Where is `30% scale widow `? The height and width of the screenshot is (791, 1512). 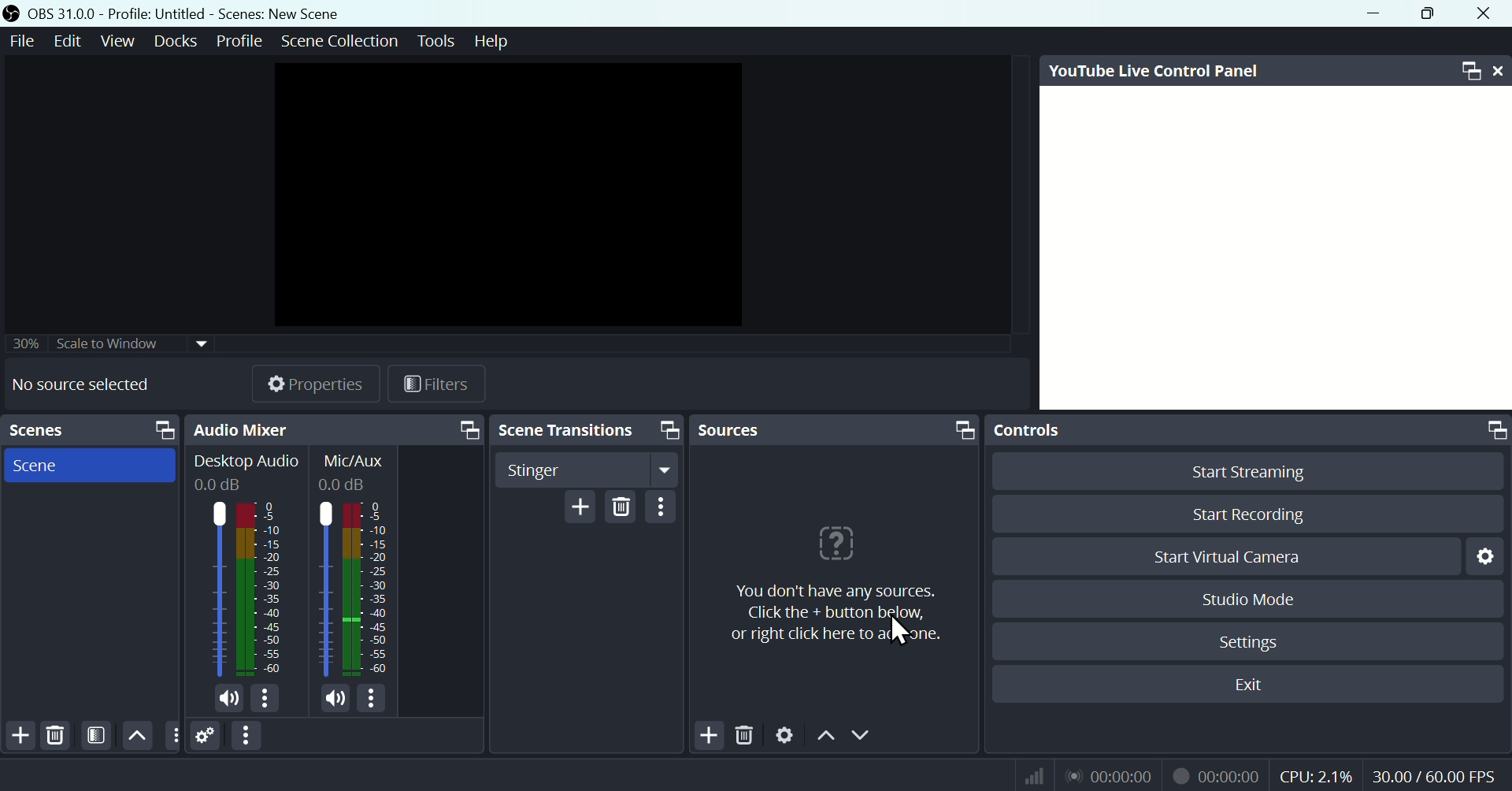 30% scale widow  is located at coordinates (132, 342).